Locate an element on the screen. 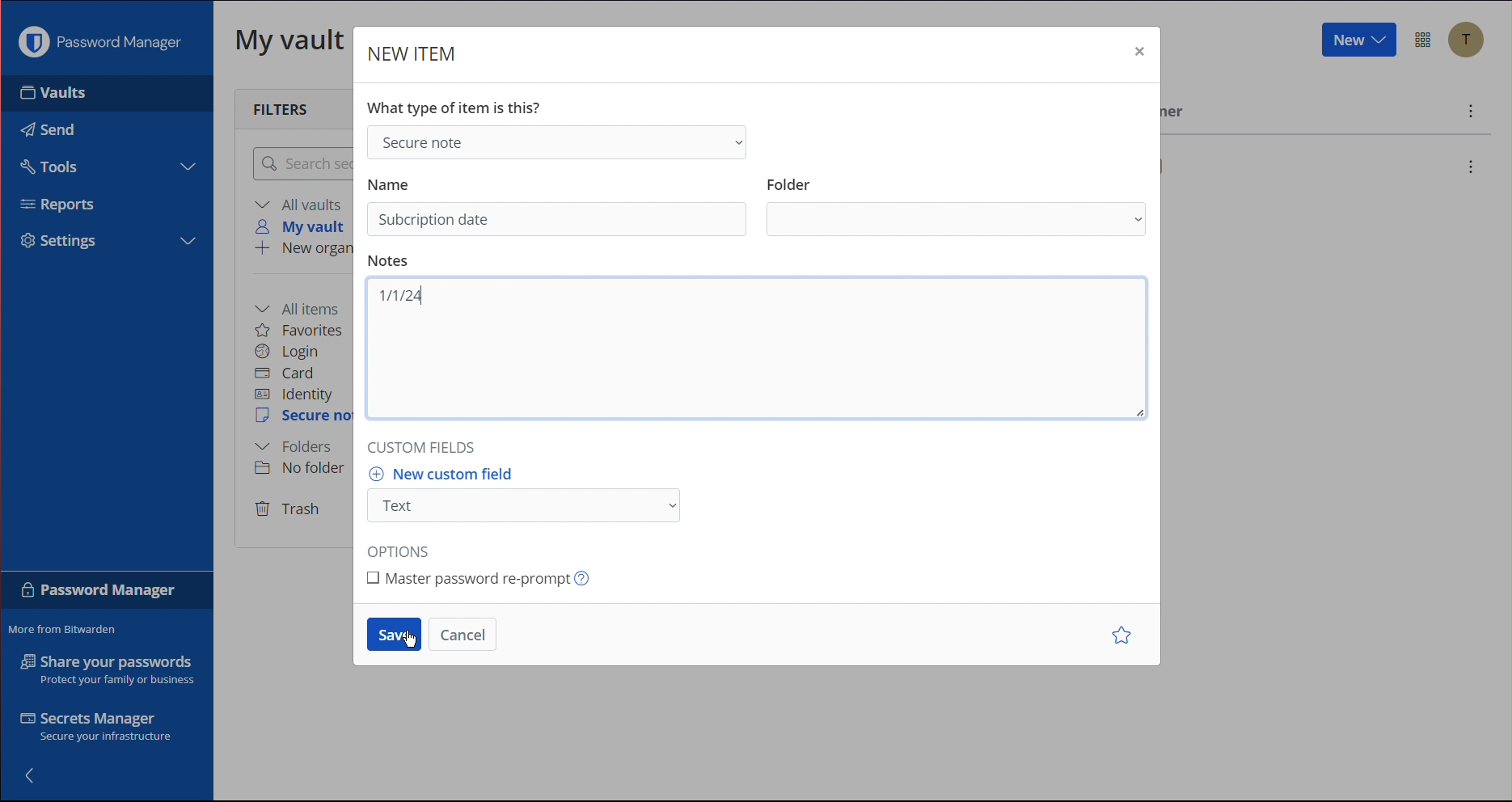  Tools is located at coordinates (47, 164).